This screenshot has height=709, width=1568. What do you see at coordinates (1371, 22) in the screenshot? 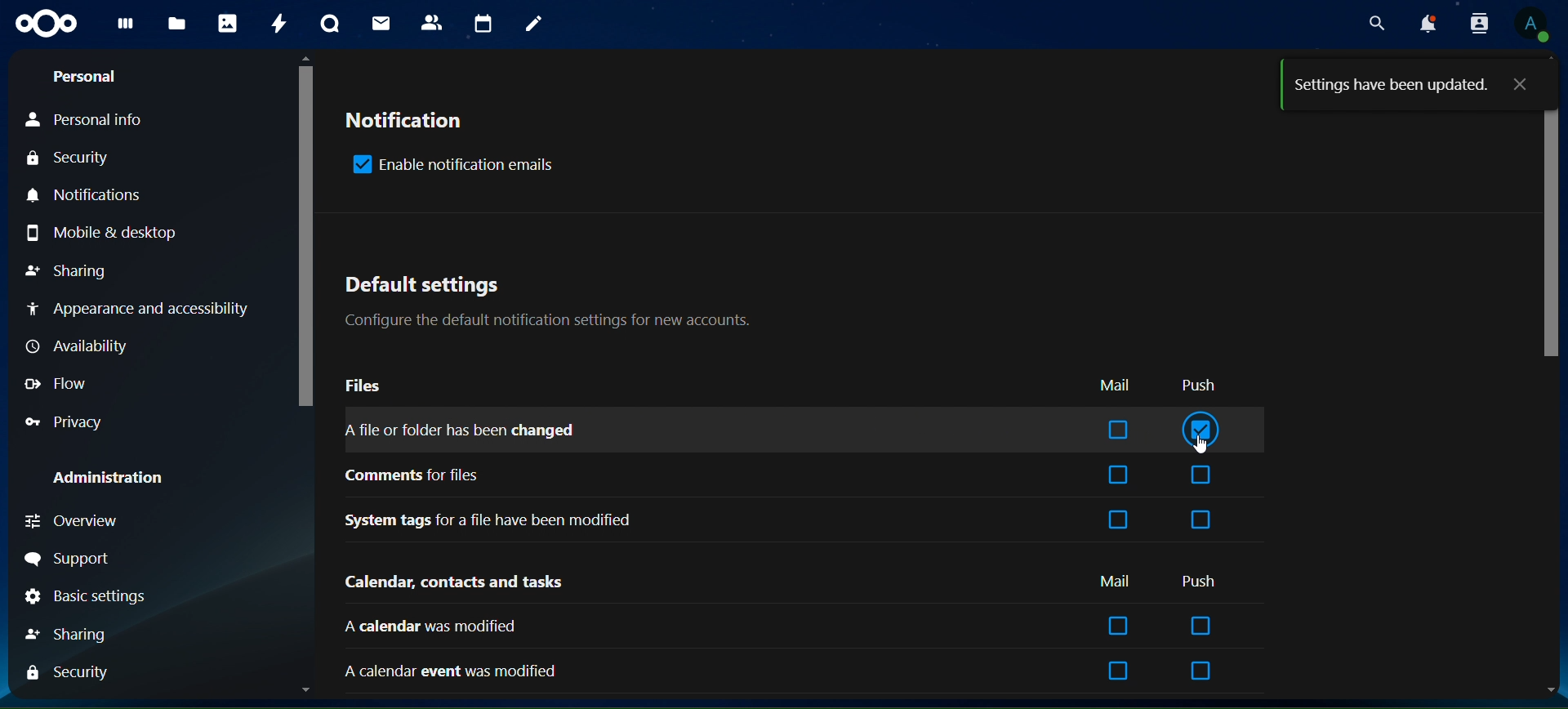
I see `search` at bounding box center [1371, 22].